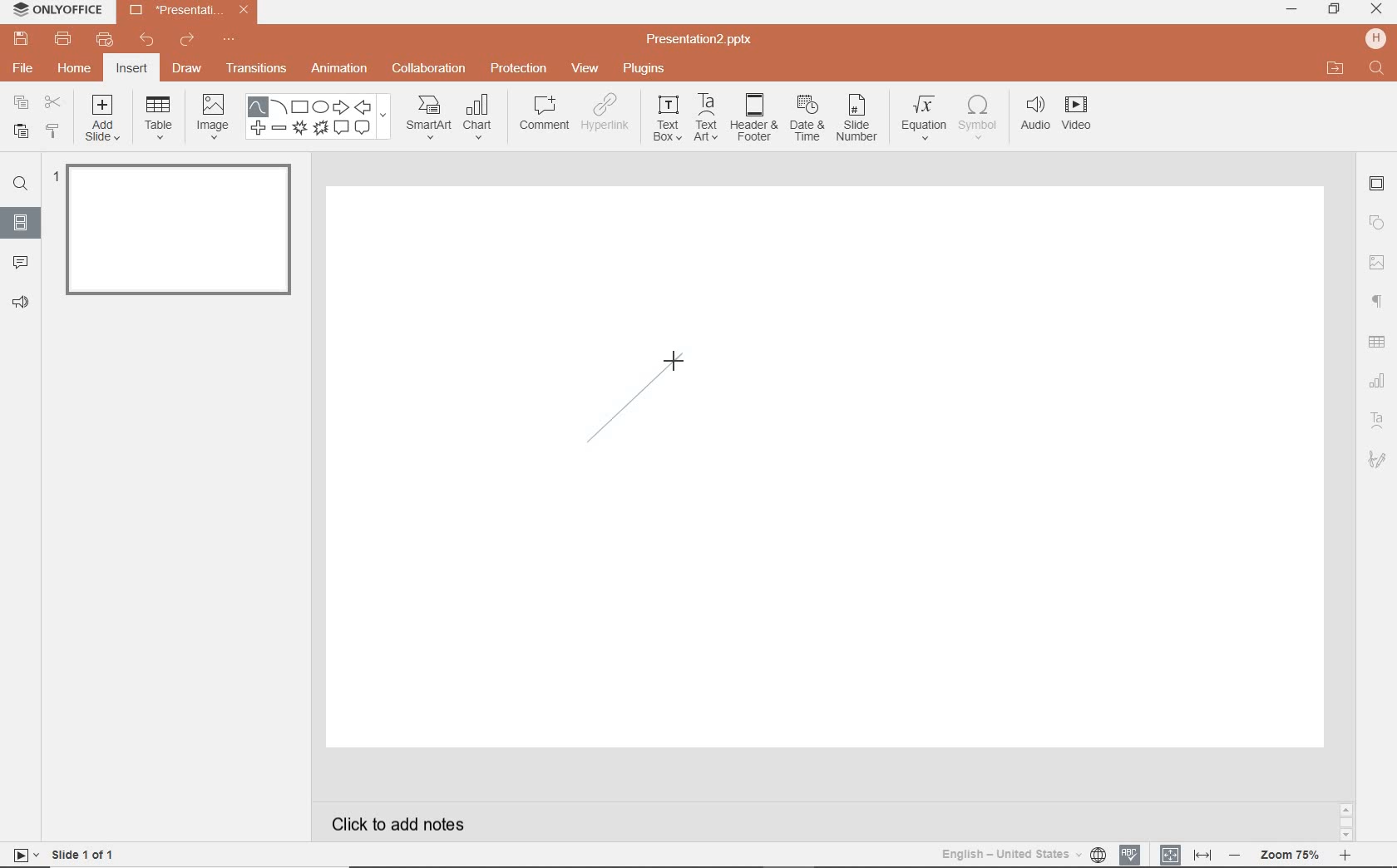  What do you see at coordinates (1186, 853) in the screenshot?
I see `FIT TO SLIDE / FIT TO WIDTH` at bounding box center [1186, 853].